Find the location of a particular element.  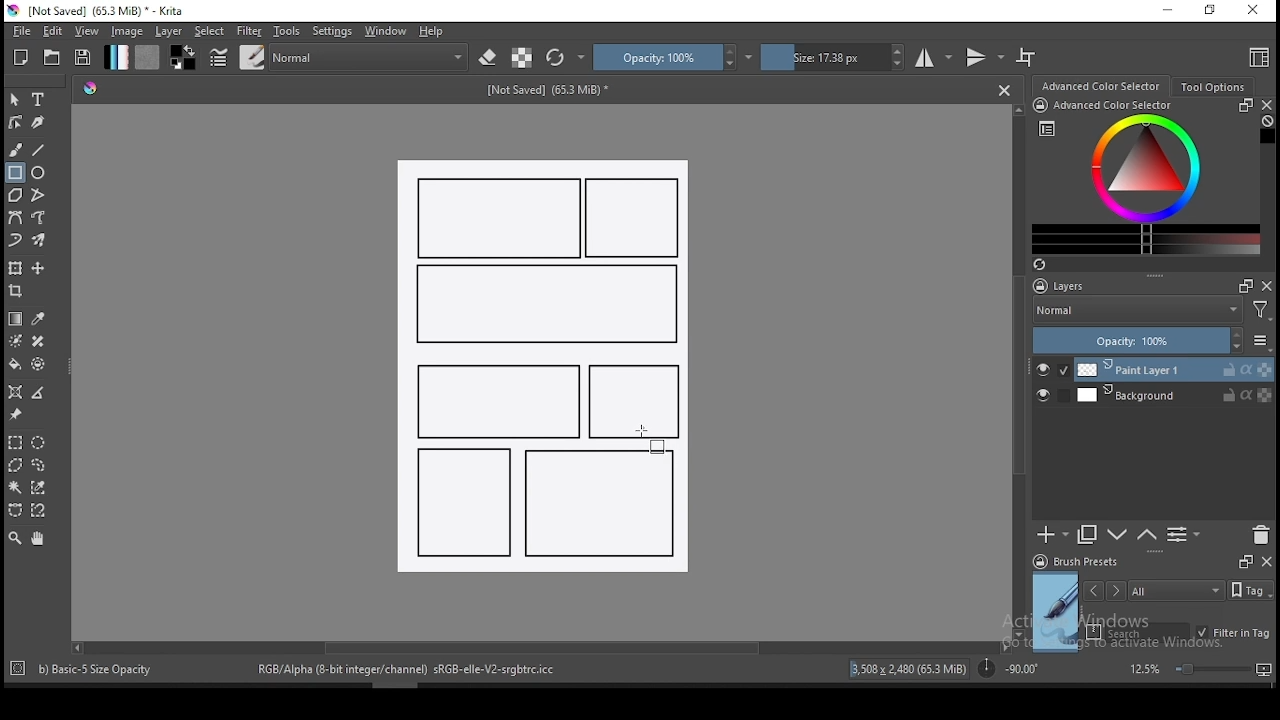

filter in tag is located at coordinates (1233, 634).